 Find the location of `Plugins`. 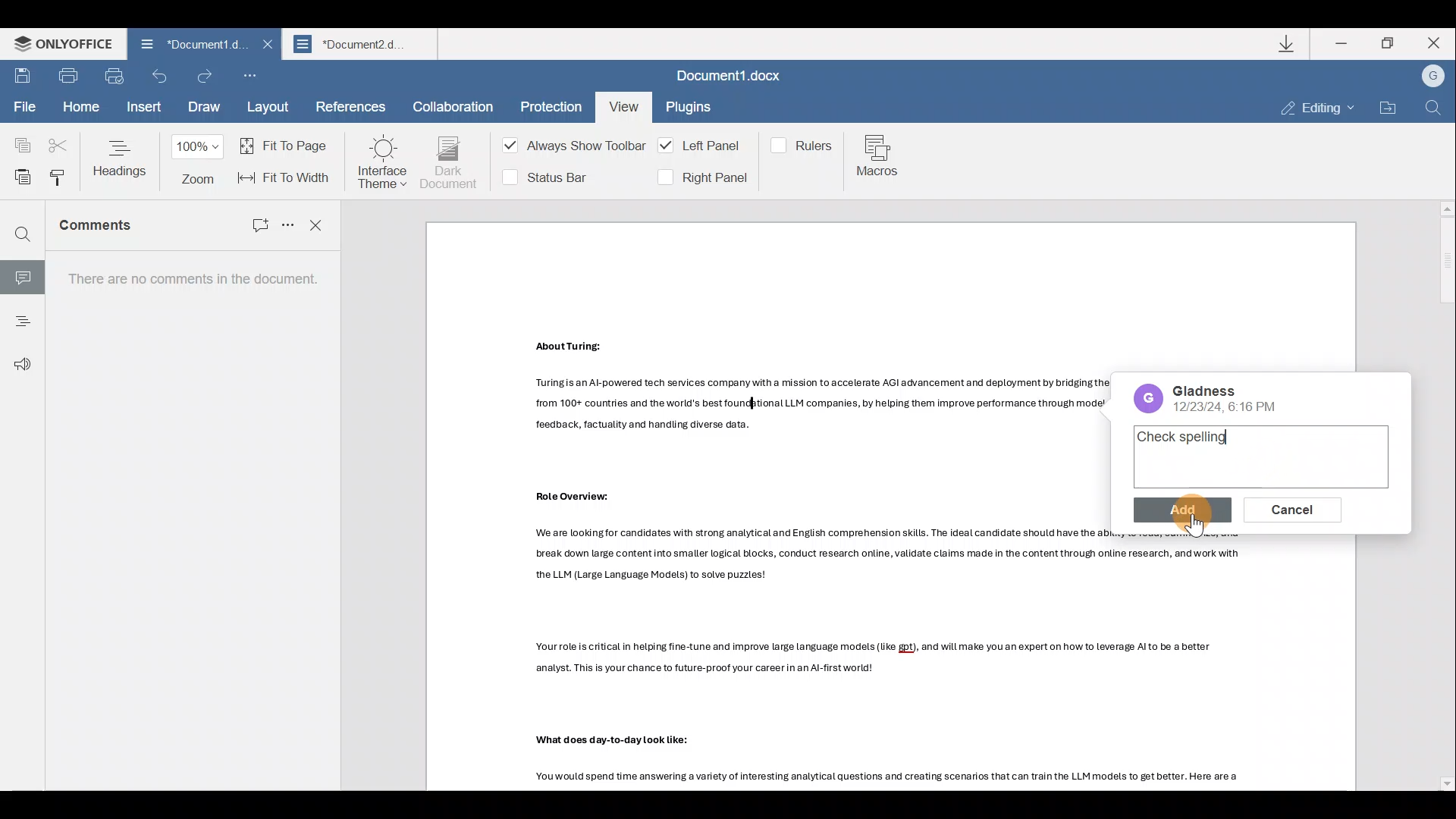

Plugins is located at coordinates (690, 109).